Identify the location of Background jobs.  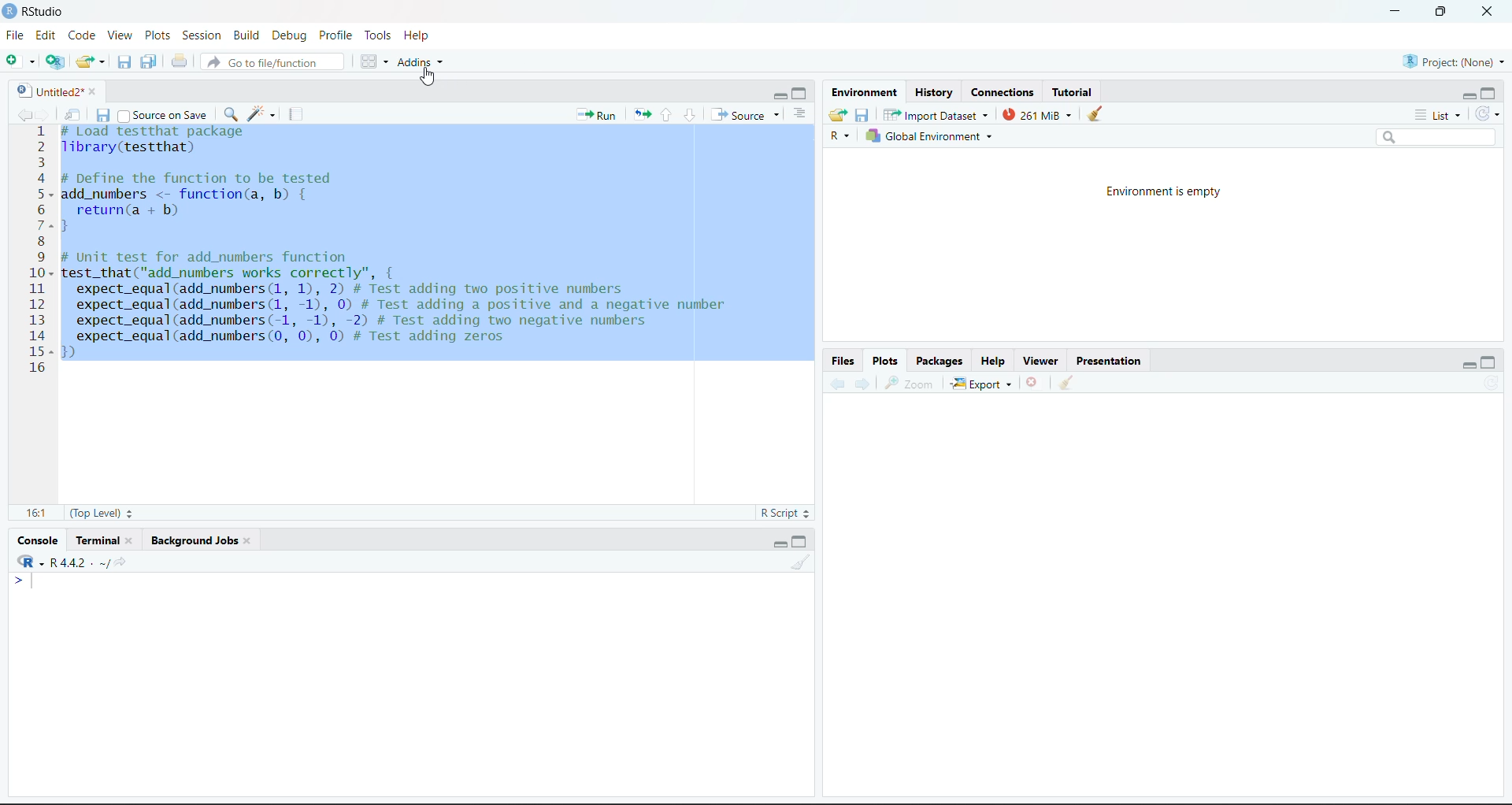
(202, 540).